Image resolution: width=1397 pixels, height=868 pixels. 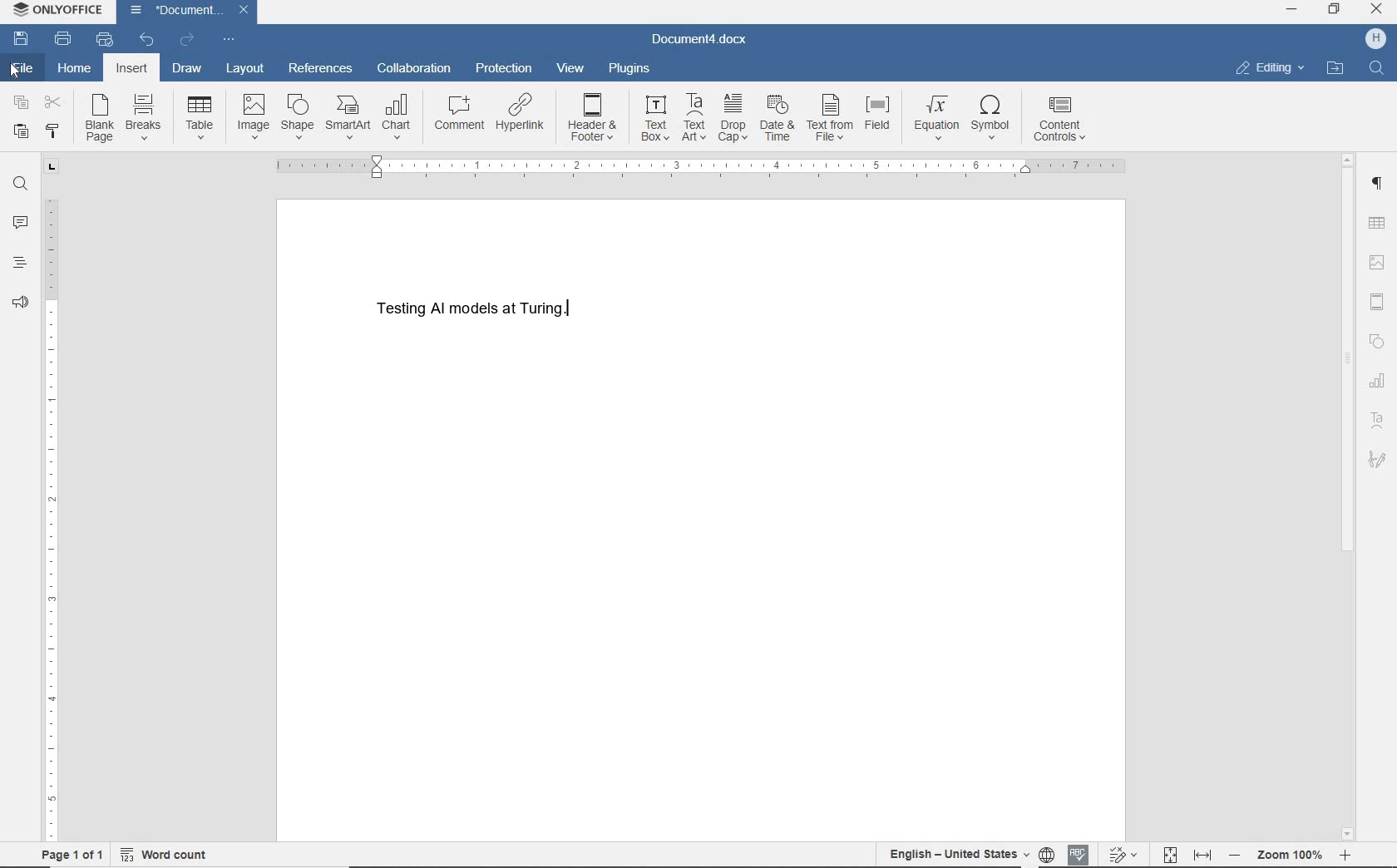 What do you see at coordinates (18, 69) in the screenshot?
I see `file` at bounding box center [18, 69].